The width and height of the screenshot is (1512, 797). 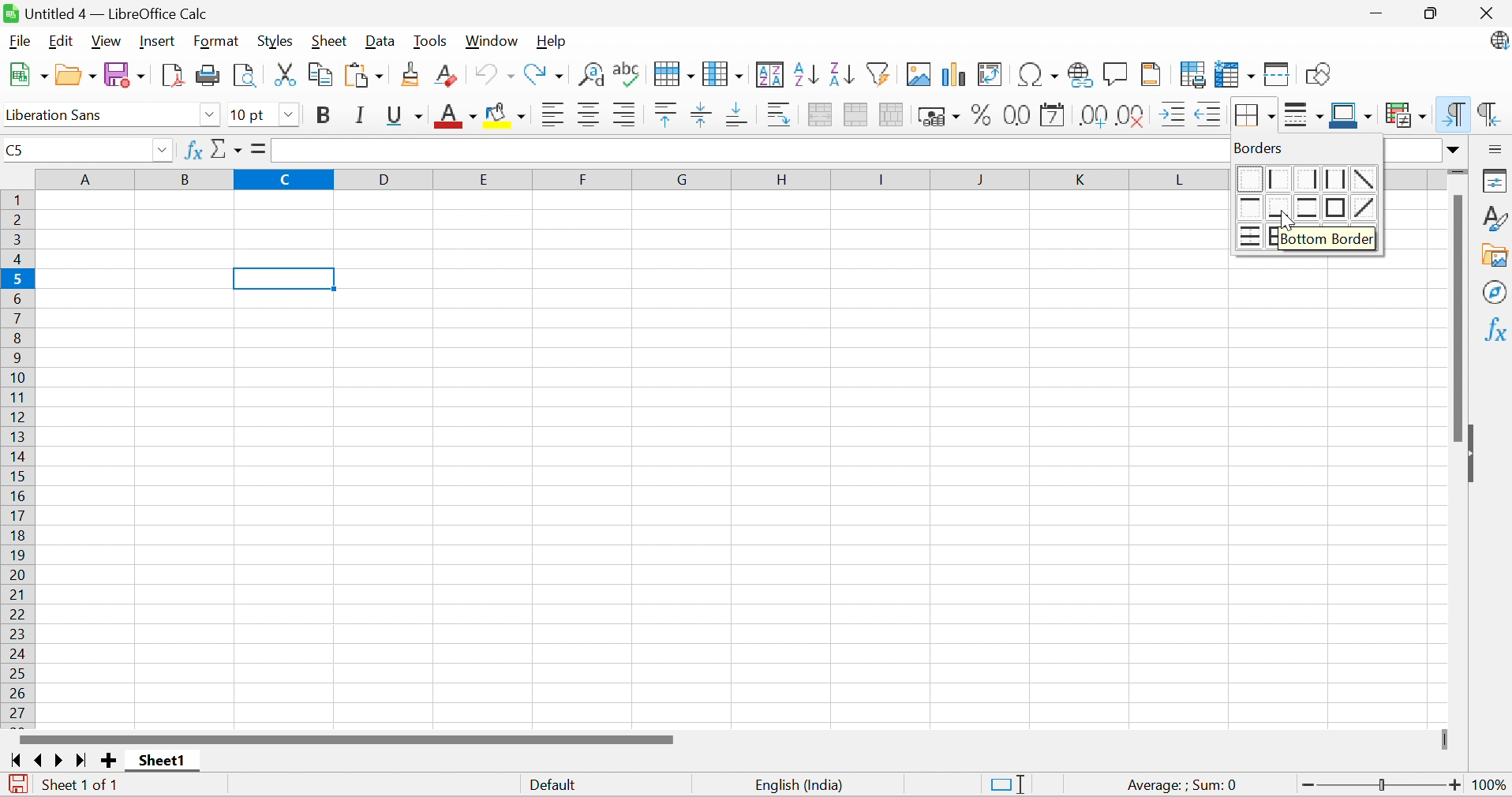 I want to click on Font name, so click(x=97, y=116).